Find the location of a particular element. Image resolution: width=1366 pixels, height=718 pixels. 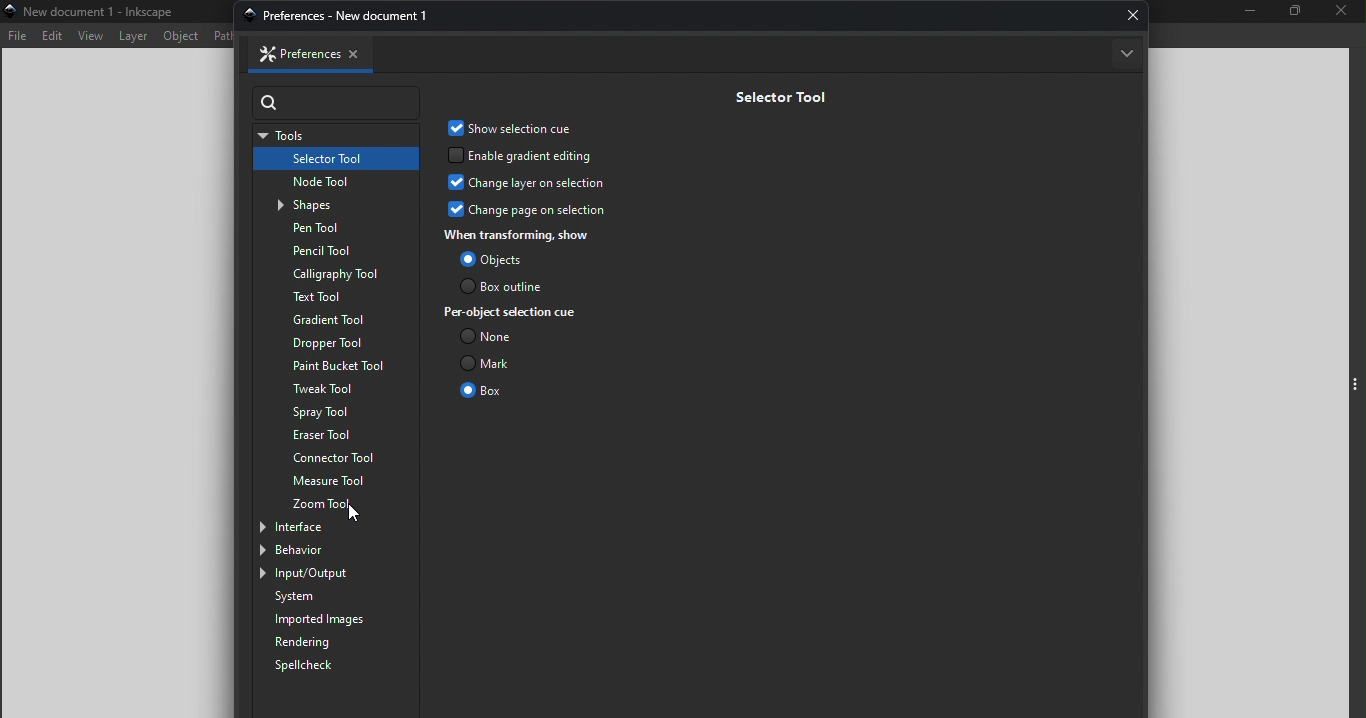

Eraser tool is located at coordinates (338, 434).